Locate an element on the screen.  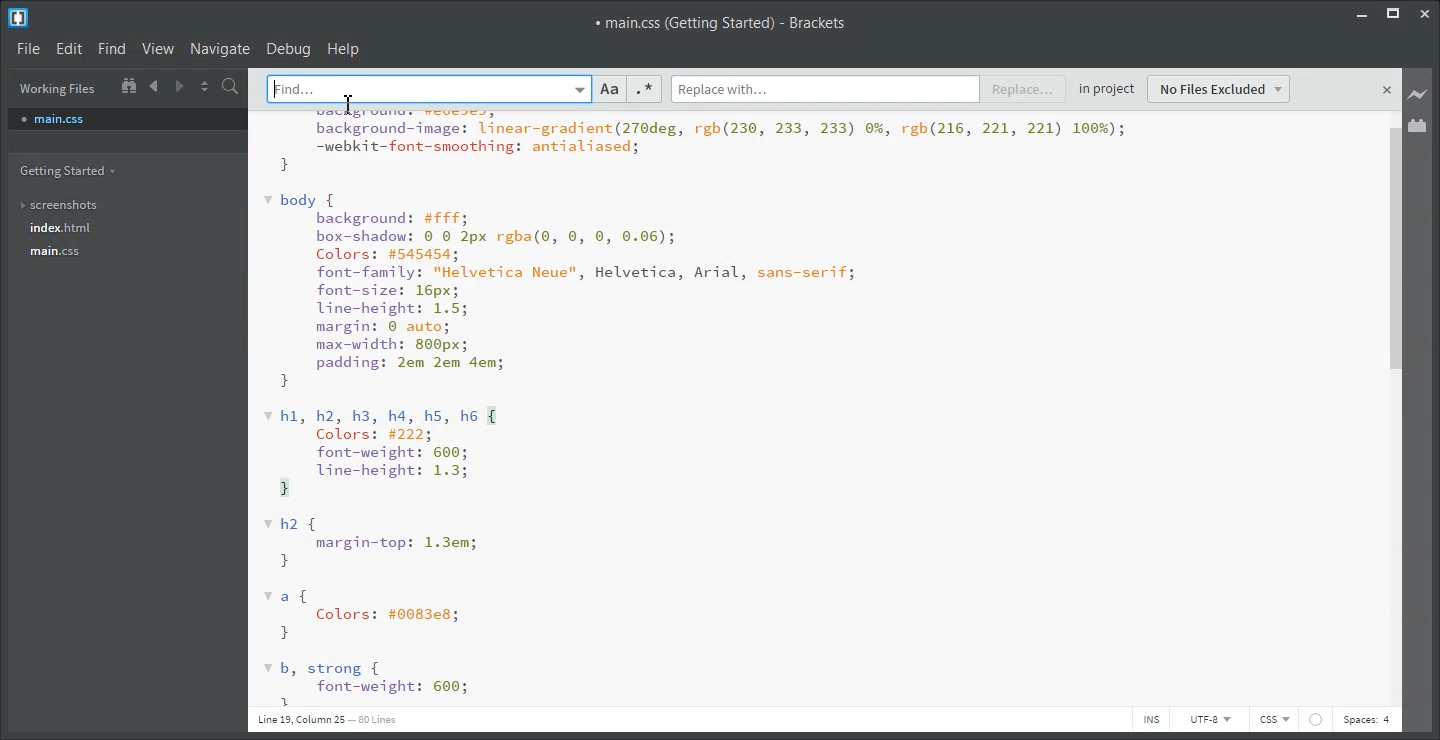
Help is located at coordinates (344, 48).